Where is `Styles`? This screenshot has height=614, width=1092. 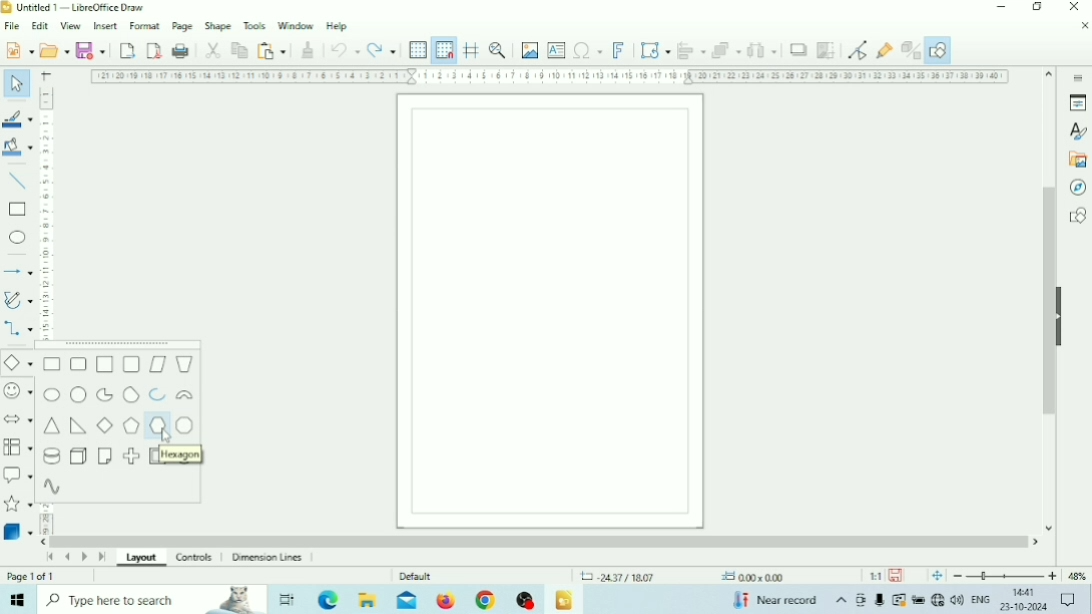
Styles is located at coordinates (1077, 132).